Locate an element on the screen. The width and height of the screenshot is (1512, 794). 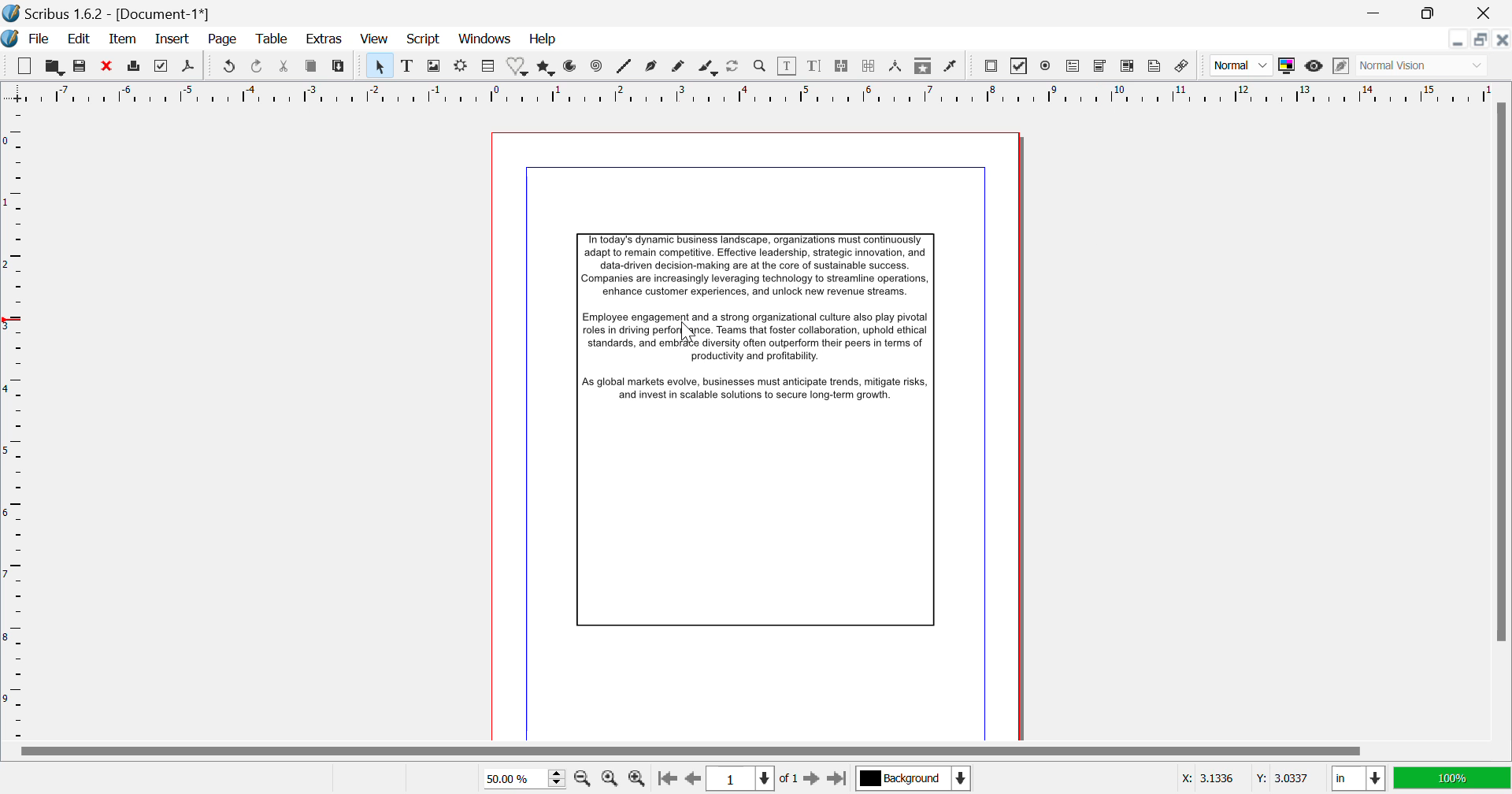
Open to is located at coordinates (55, 65).